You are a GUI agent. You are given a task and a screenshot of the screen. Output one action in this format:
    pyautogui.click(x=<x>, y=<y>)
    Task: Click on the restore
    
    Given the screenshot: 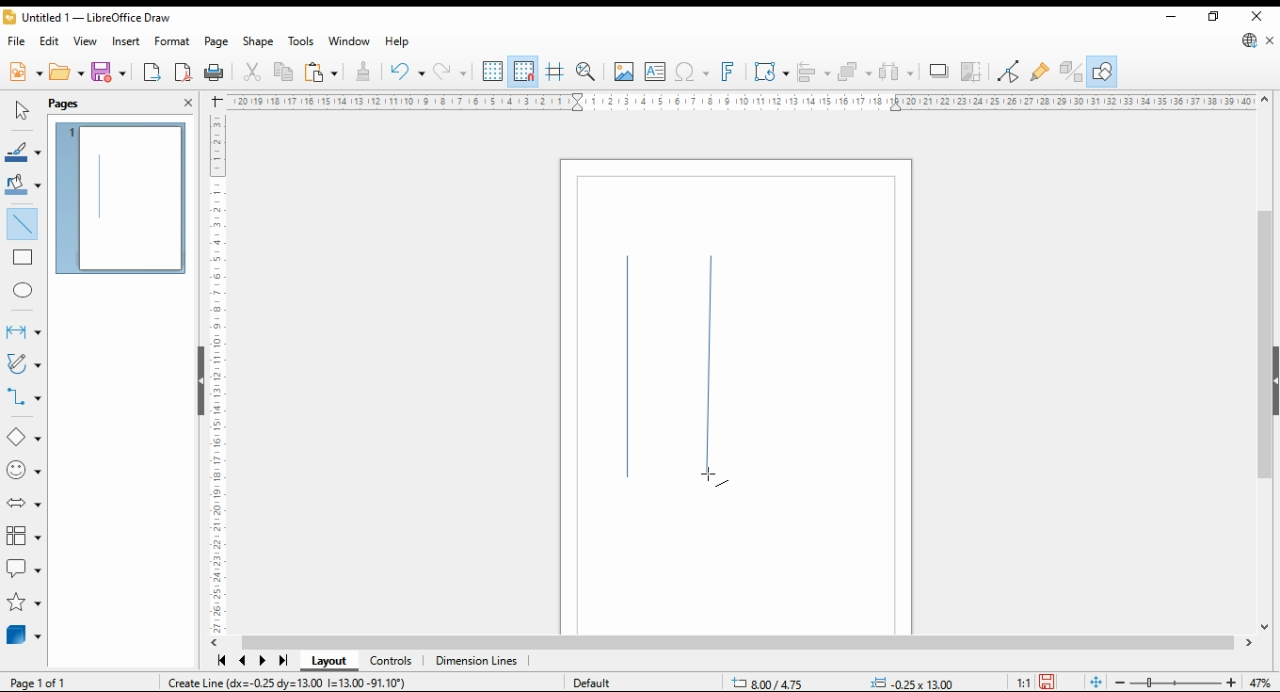 What is the action you would take?
    pyautogui.click(x=1213, y=17)
    